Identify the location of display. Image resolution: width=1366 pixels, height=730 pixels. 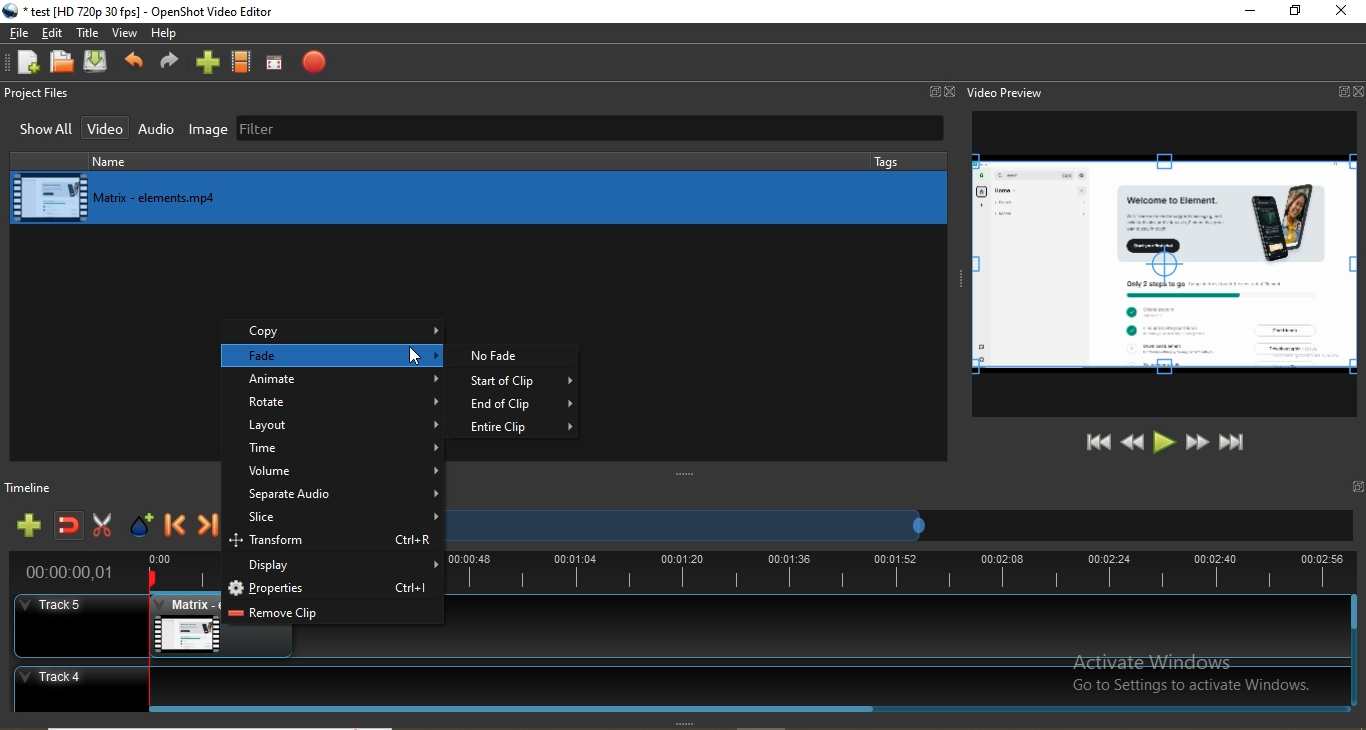
(336, 567).